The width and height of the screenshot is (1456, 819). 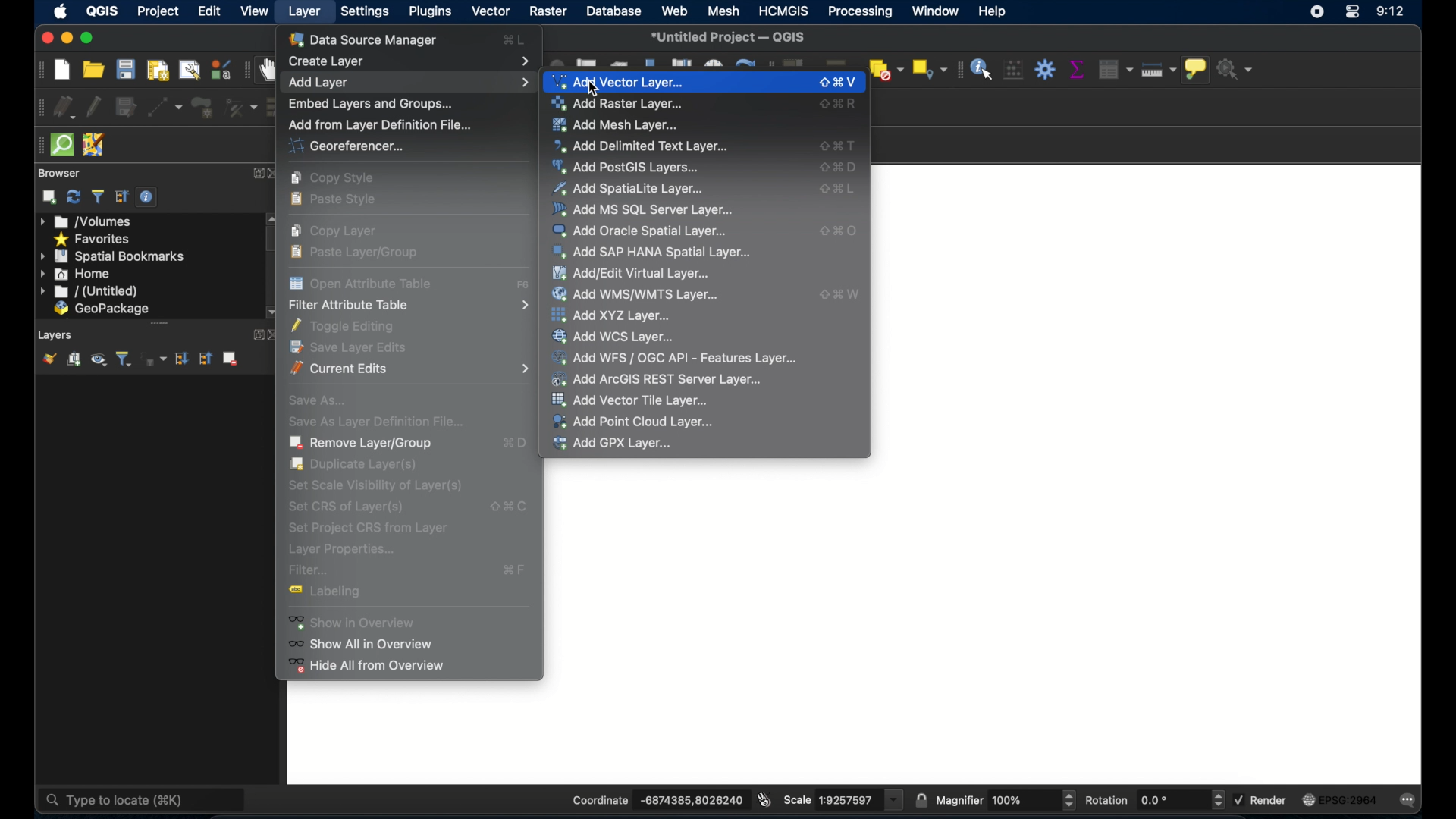 I want to click on current crs, so click(x=1339, y=801).